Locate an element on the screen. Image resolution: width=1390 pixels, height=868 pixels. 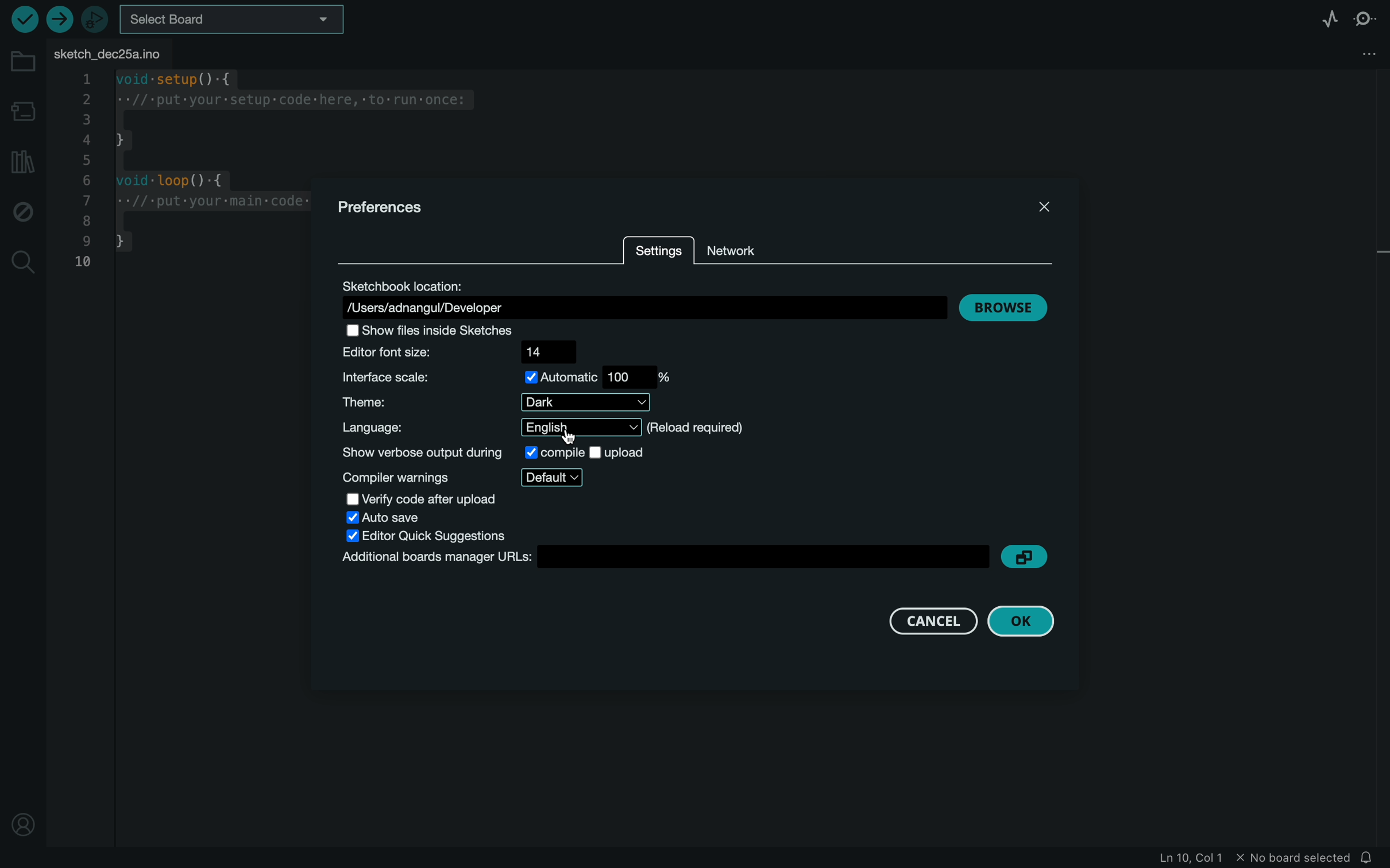
ok is located at coordinates (1024, 620).